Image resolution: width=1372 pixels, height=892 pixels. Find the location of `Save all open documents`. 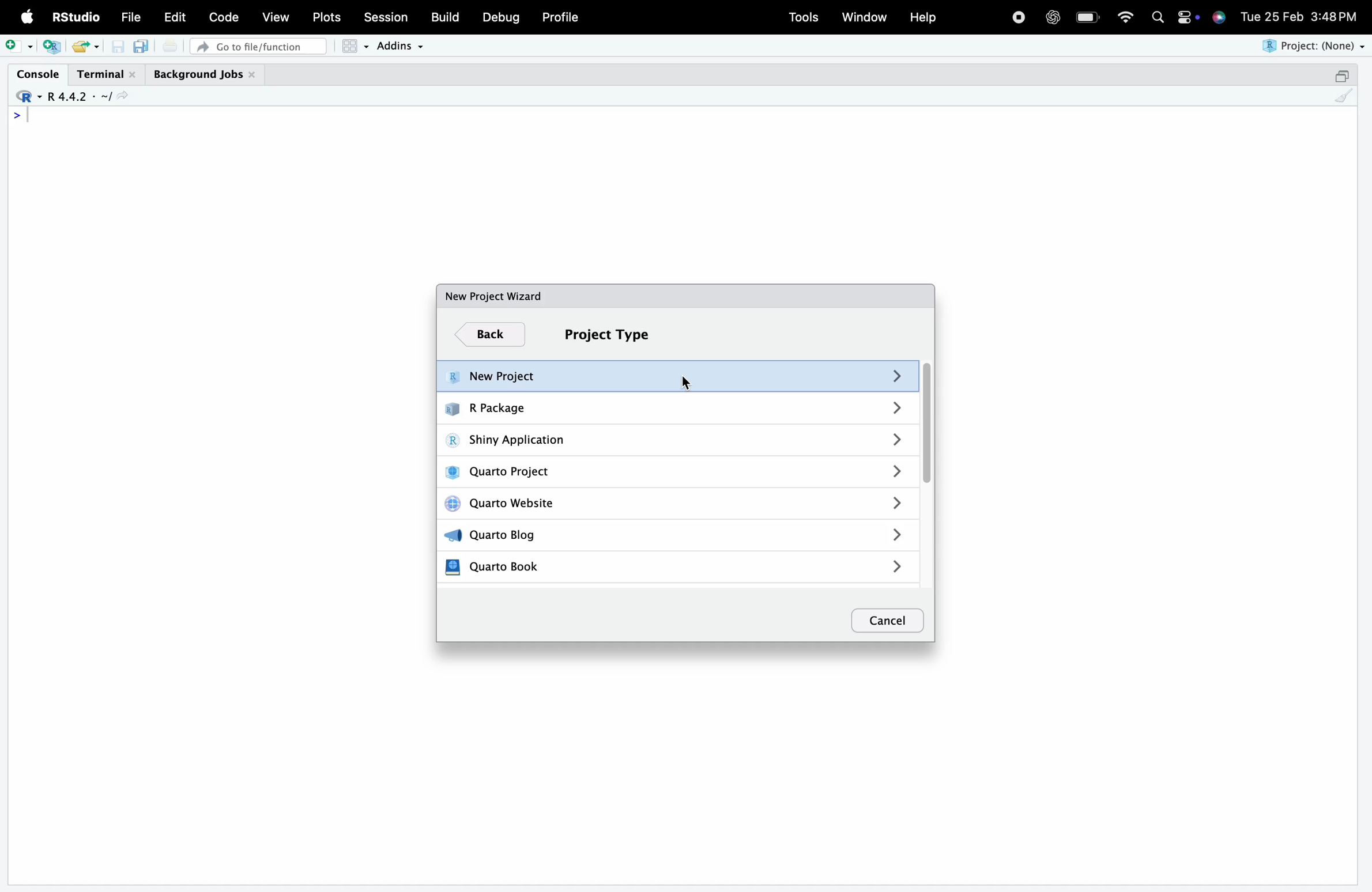

Save all open documents is located at coordinates (142, 46).